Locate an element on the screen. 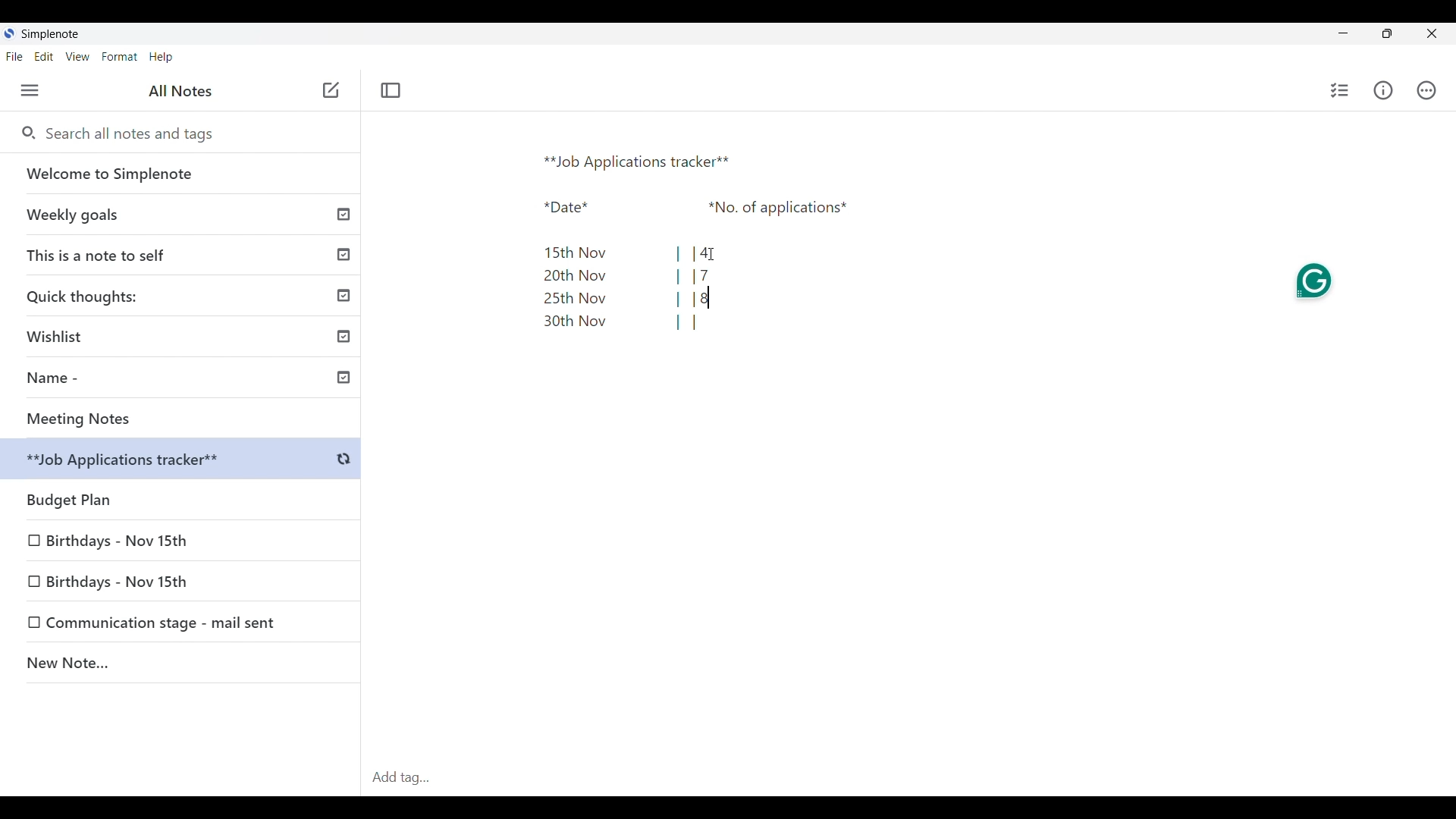  Meeting Notes is located at coordinates (186, 419).